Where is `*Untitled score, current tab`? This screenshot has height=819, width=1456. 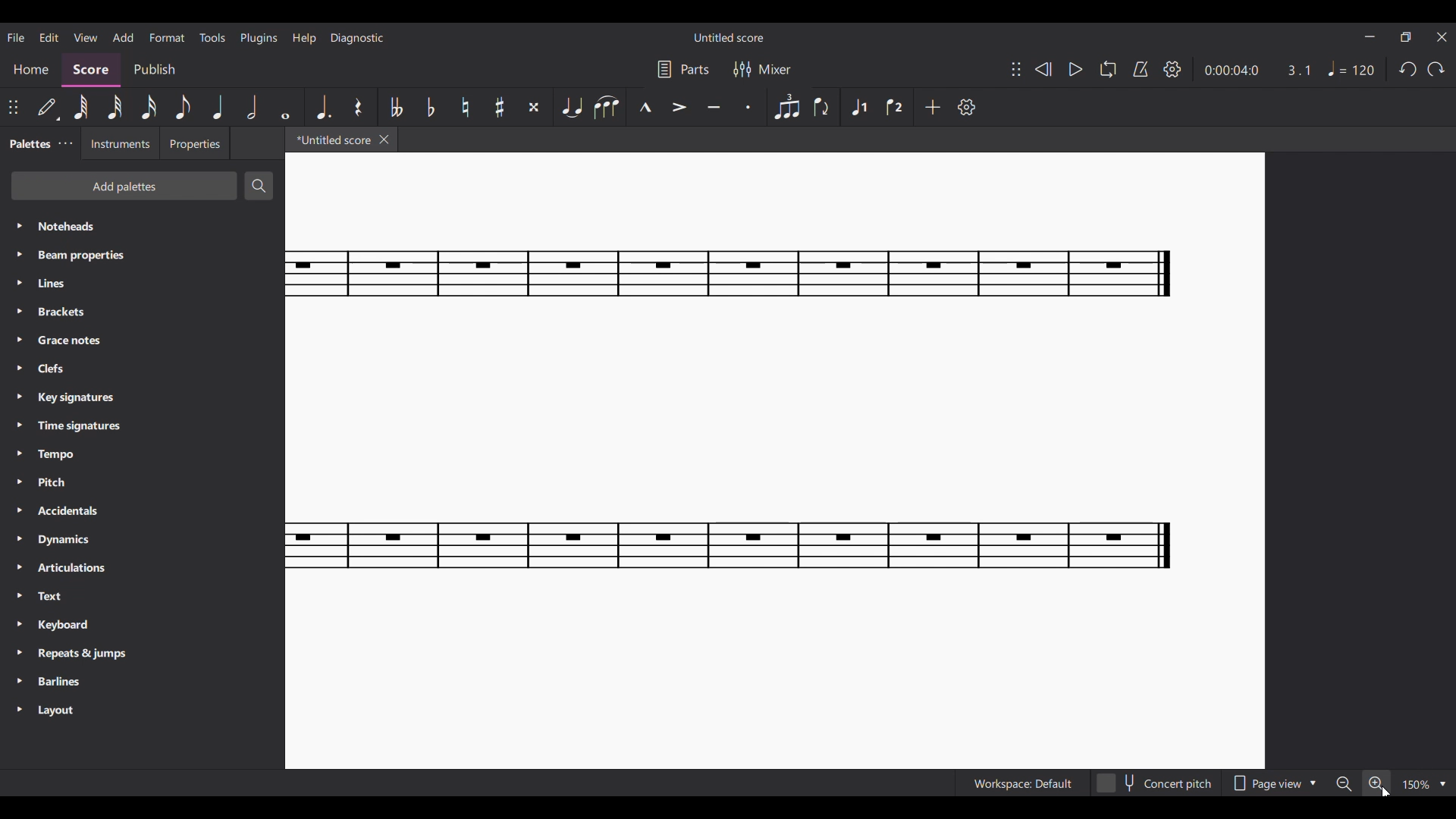
*Untitled score, current tab is located at coordinates (330, 140).